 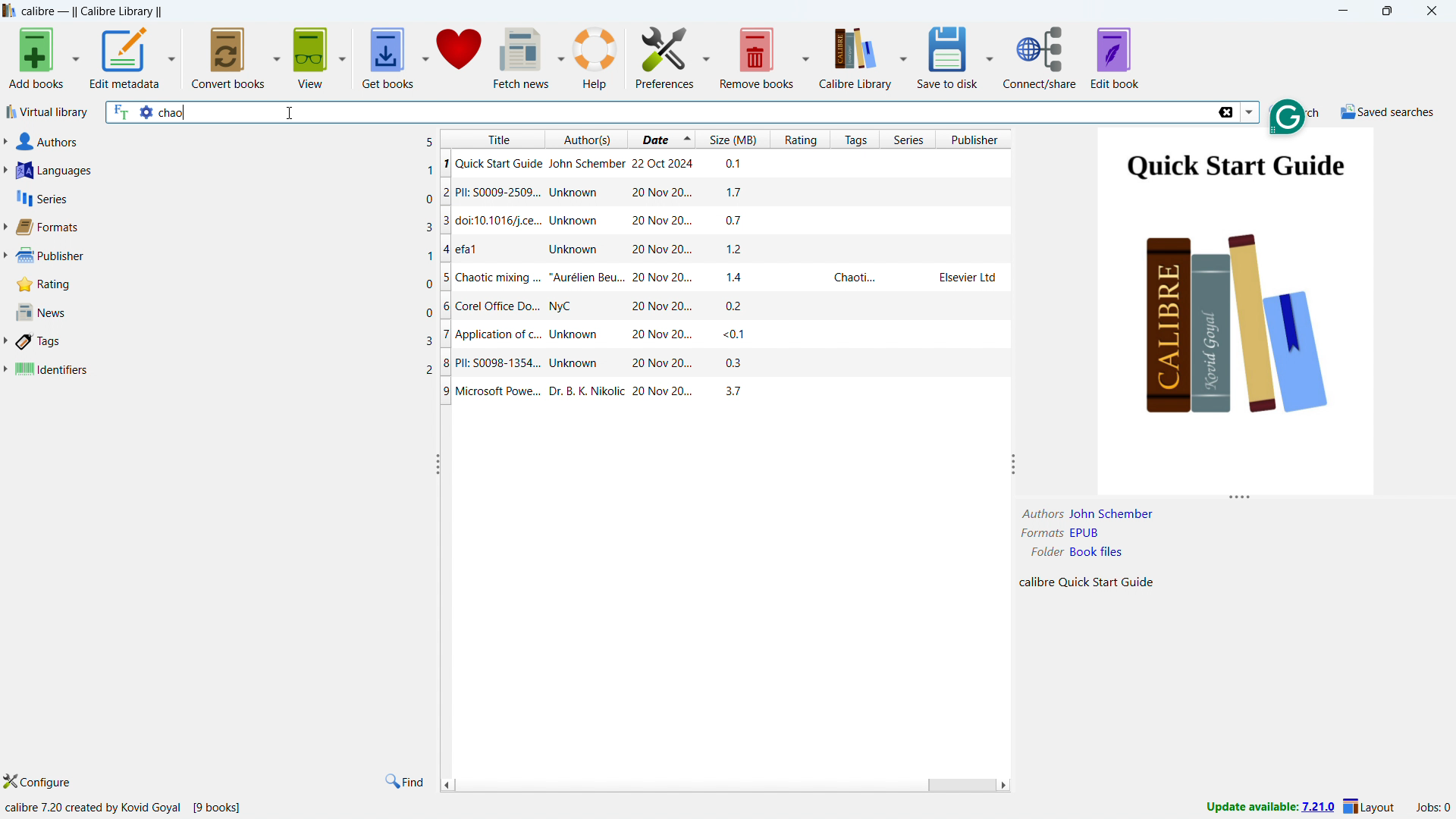 I want to click on expand languages, so click(x=5, y=171).